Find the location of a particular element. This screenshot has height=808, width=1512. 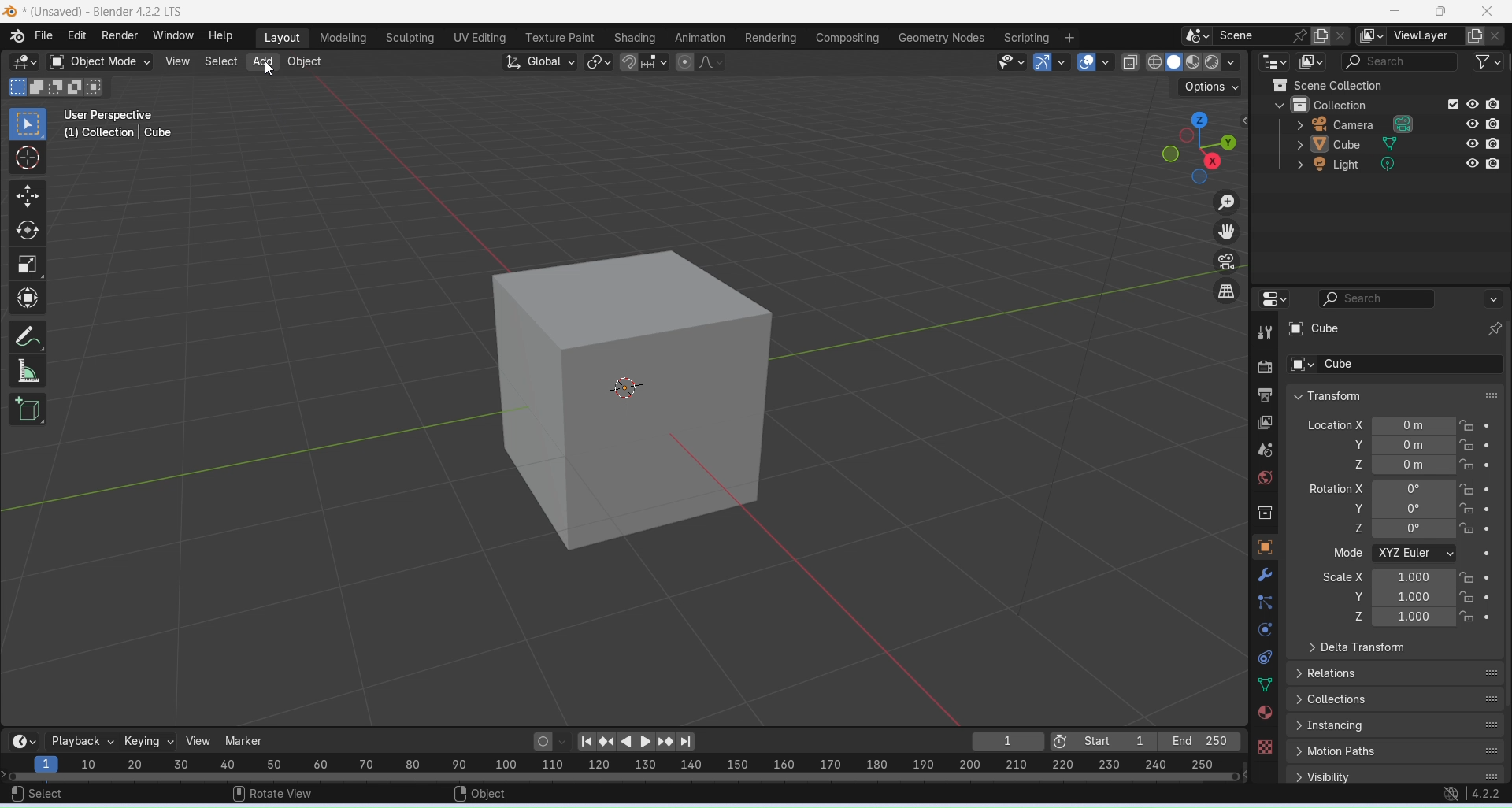

Tool is located at coordinates (1264, 332).